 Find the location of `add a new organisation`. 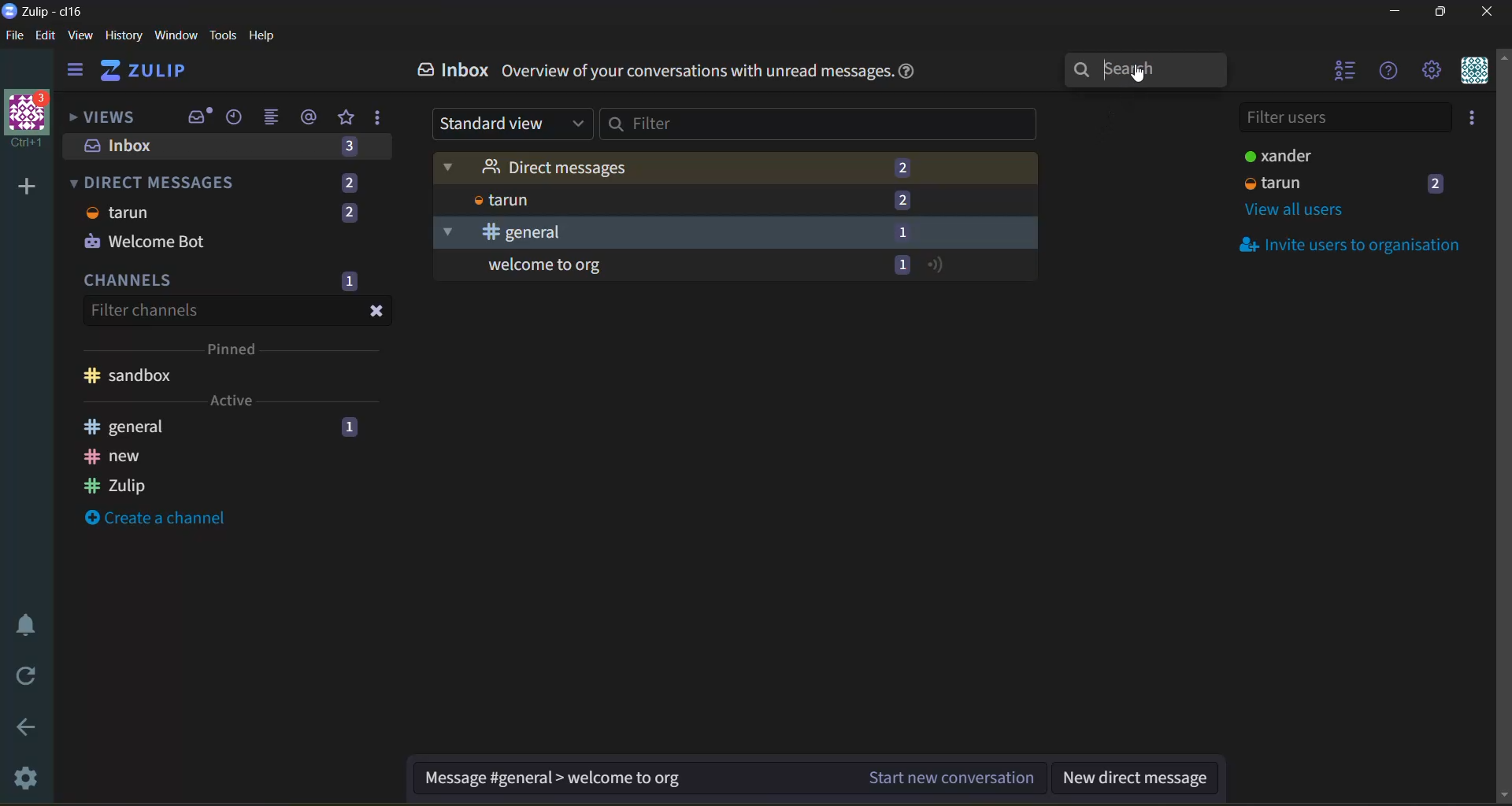

add a new organisation is located at coordinates (28, 186).